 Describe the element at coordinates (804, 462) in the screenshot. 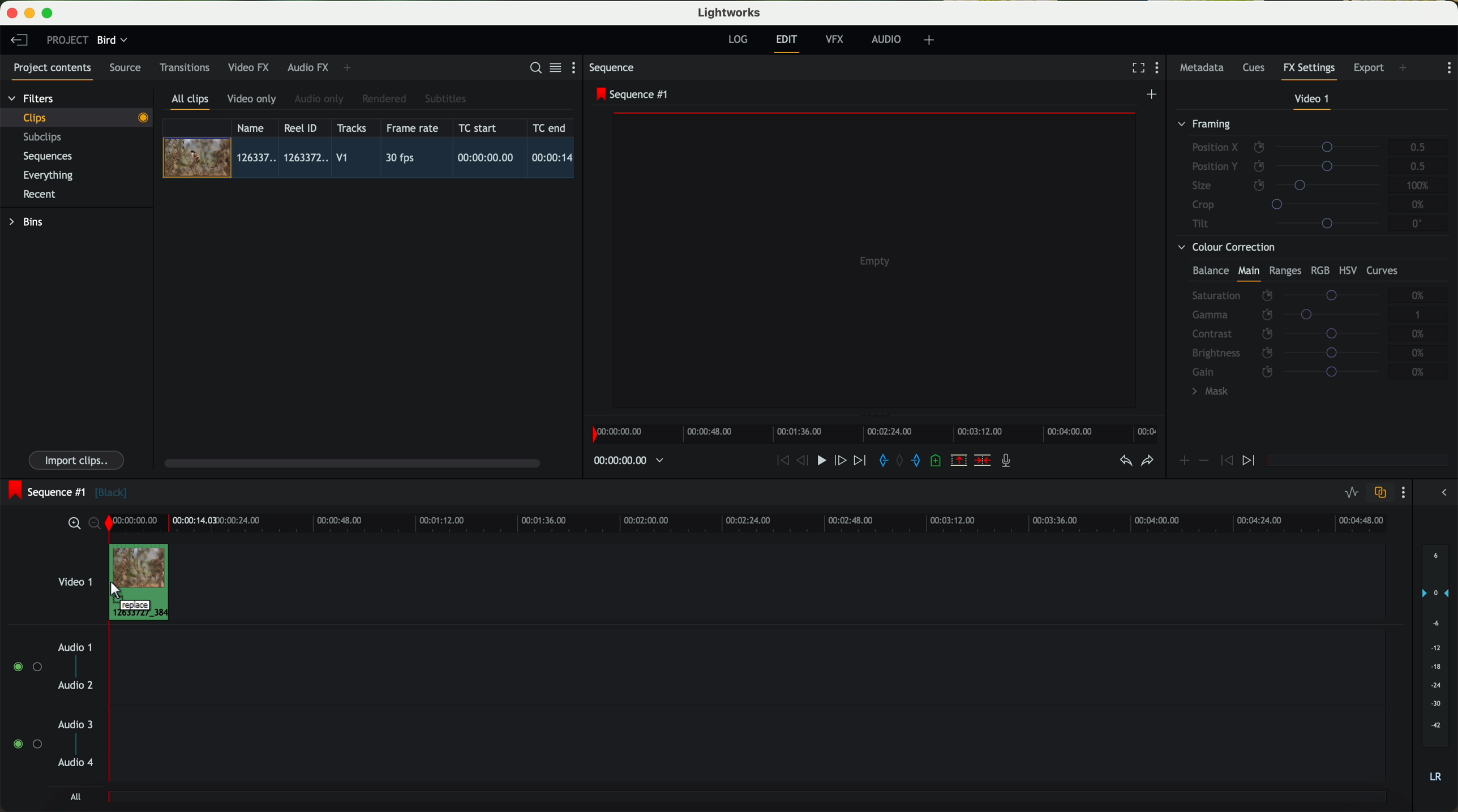

I see `nudge one frame back` at that location.